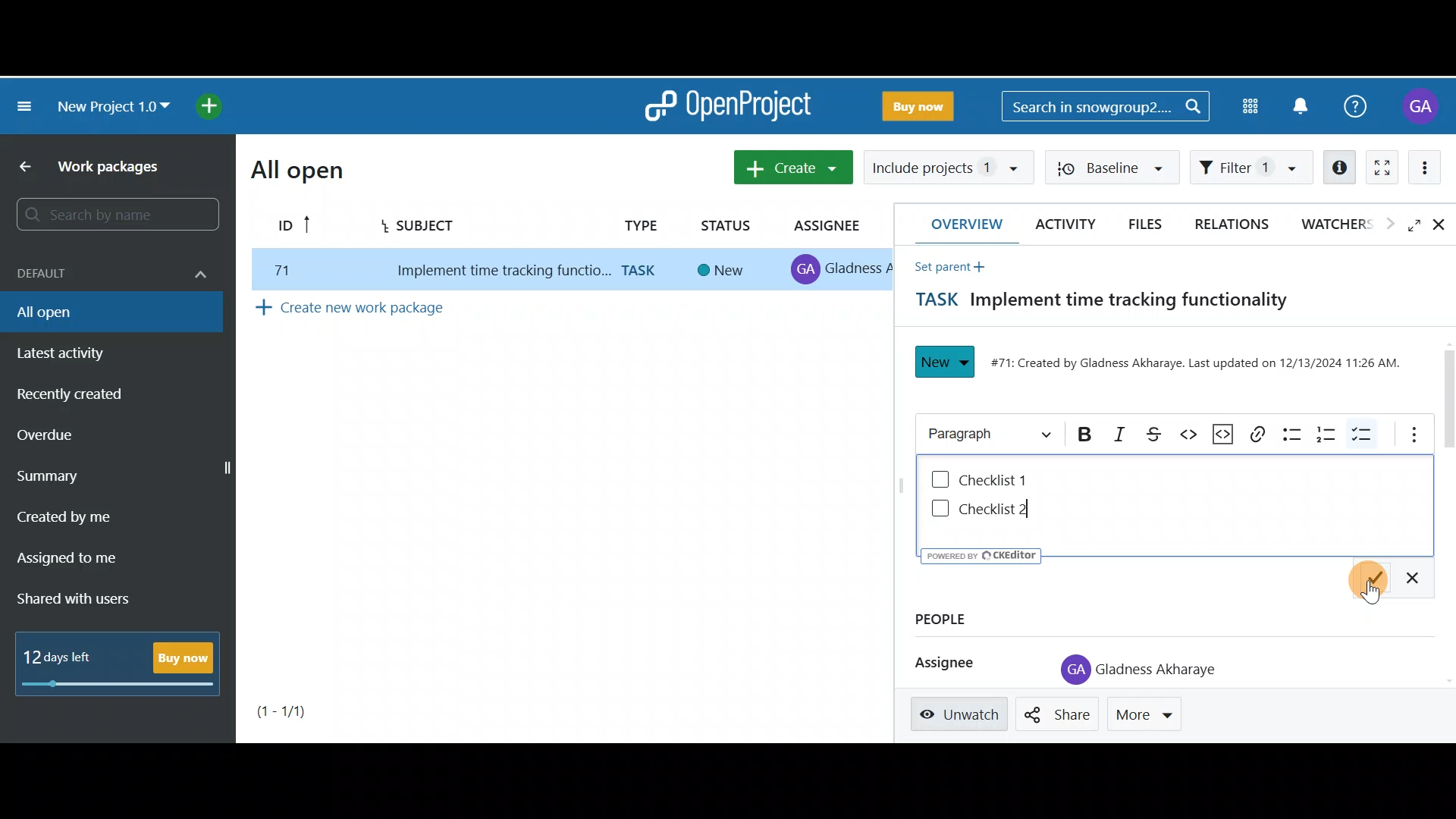 Image resolution: width=1456 pixels, height=819 pixels. What do you see at coordinates (831, 226) in the screenshot?
I see `Assignee` at bounding box center [831, 226].